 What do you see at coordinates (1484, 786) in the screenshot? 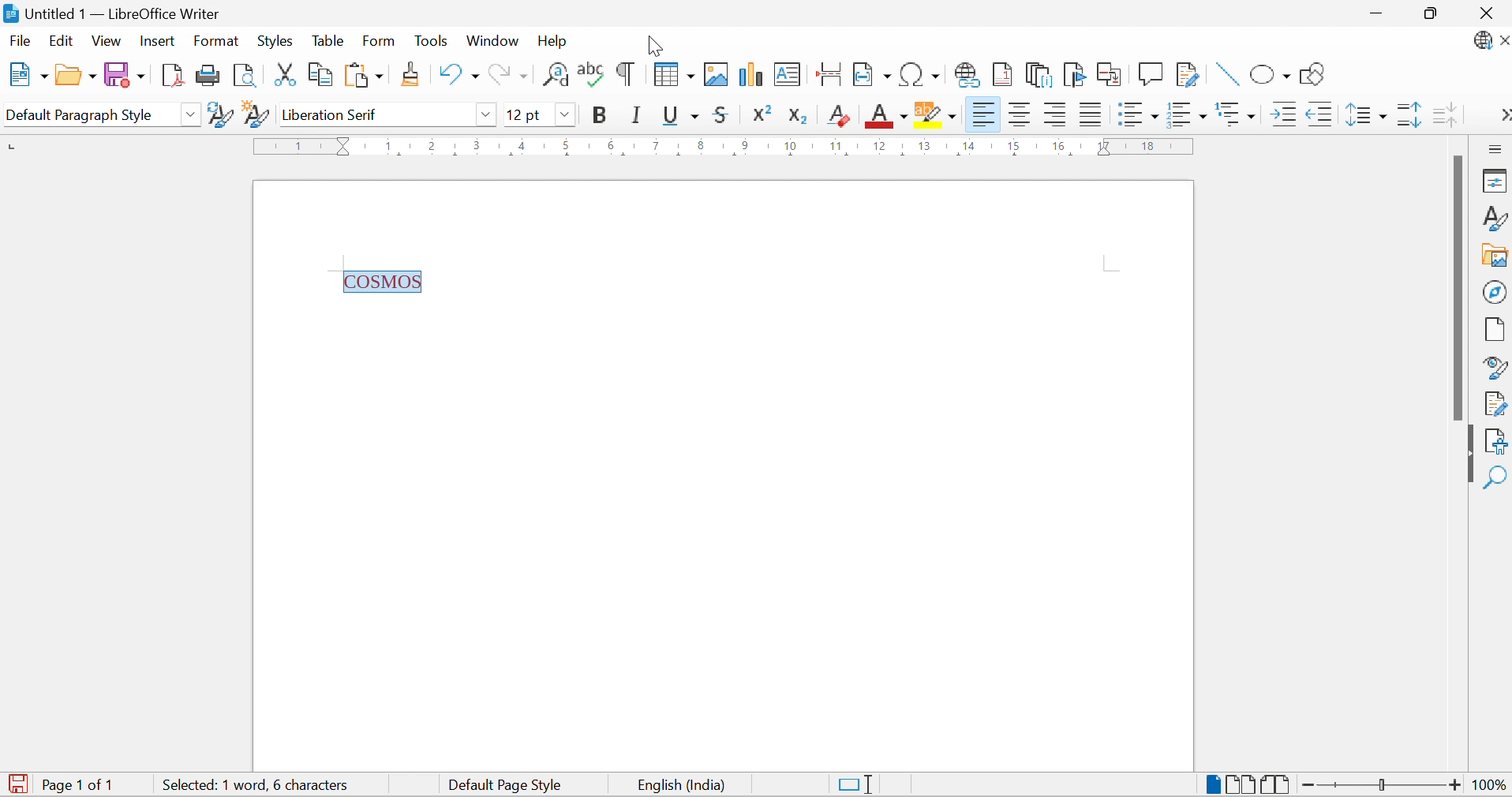
I see `100%` at bounding box center [1484, 786].